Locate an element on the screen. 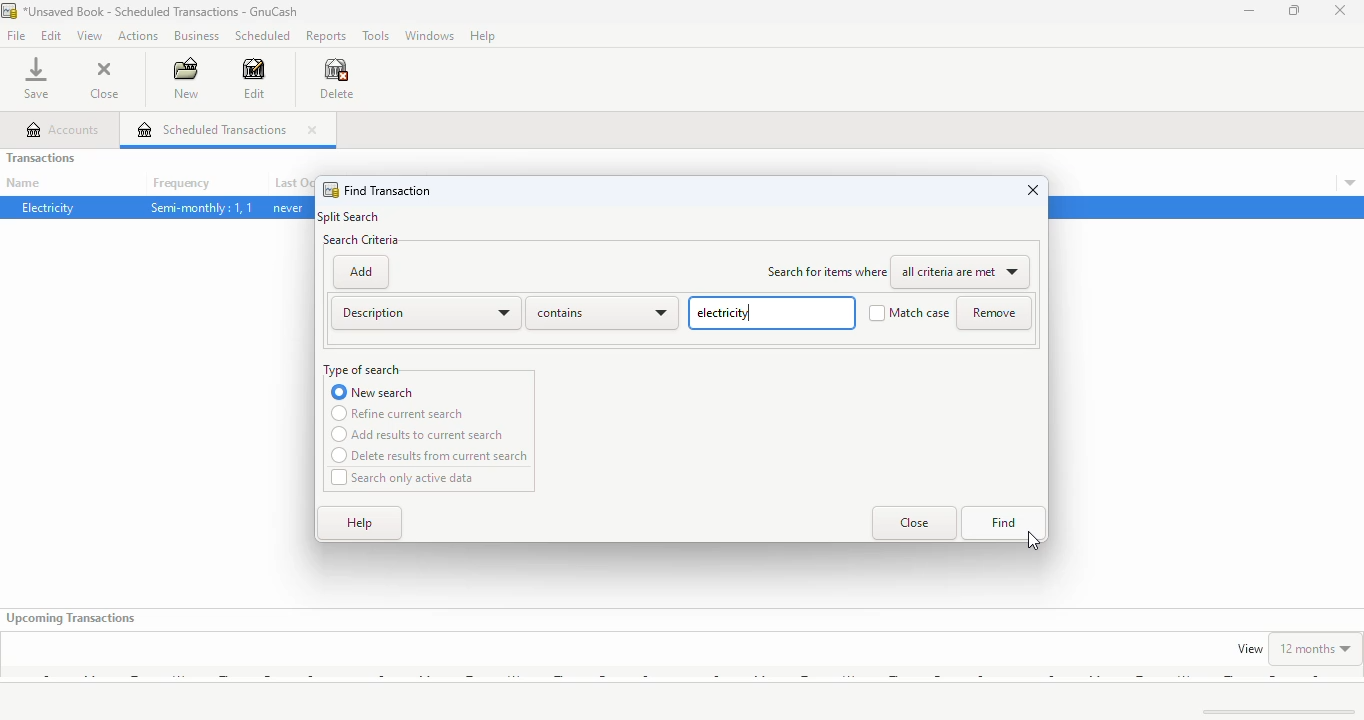 Image resolution: width=1364 pixels, height=720 pixels. accounts is located at coordinates (64, 130).